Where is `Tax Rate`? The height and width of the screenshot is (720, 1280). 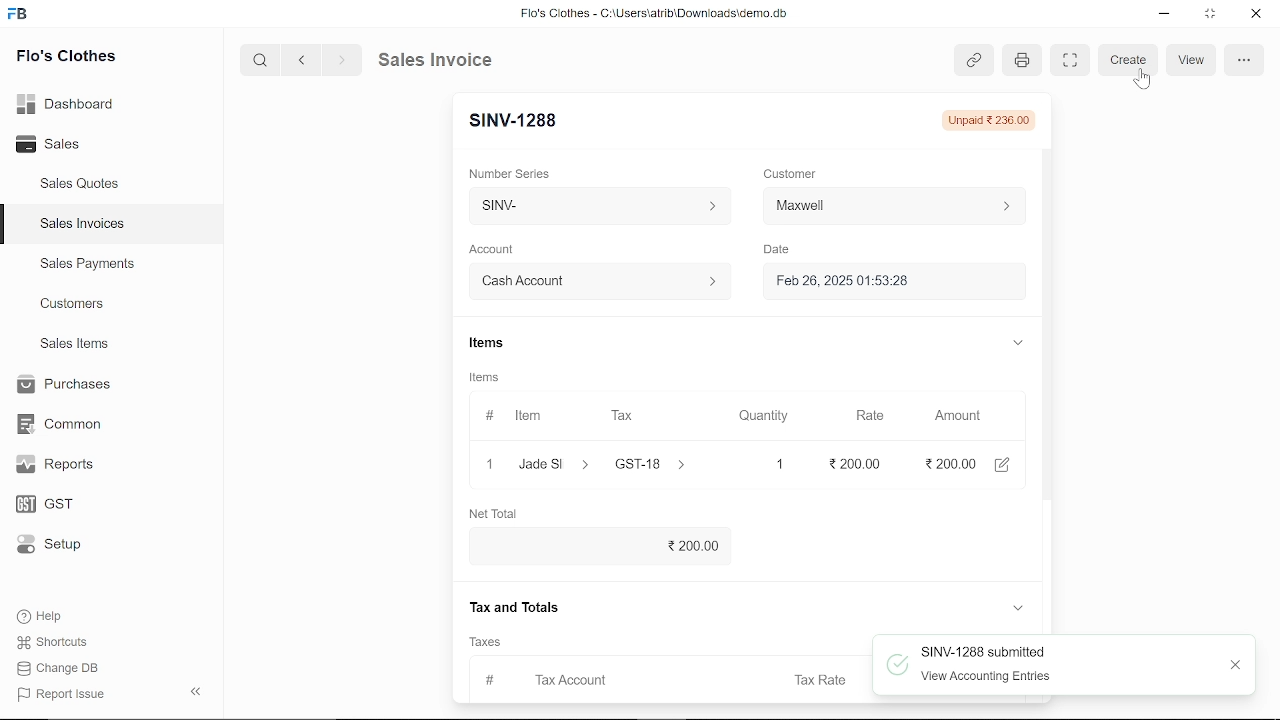 Tax Rate is located at coordinates (823, 679).